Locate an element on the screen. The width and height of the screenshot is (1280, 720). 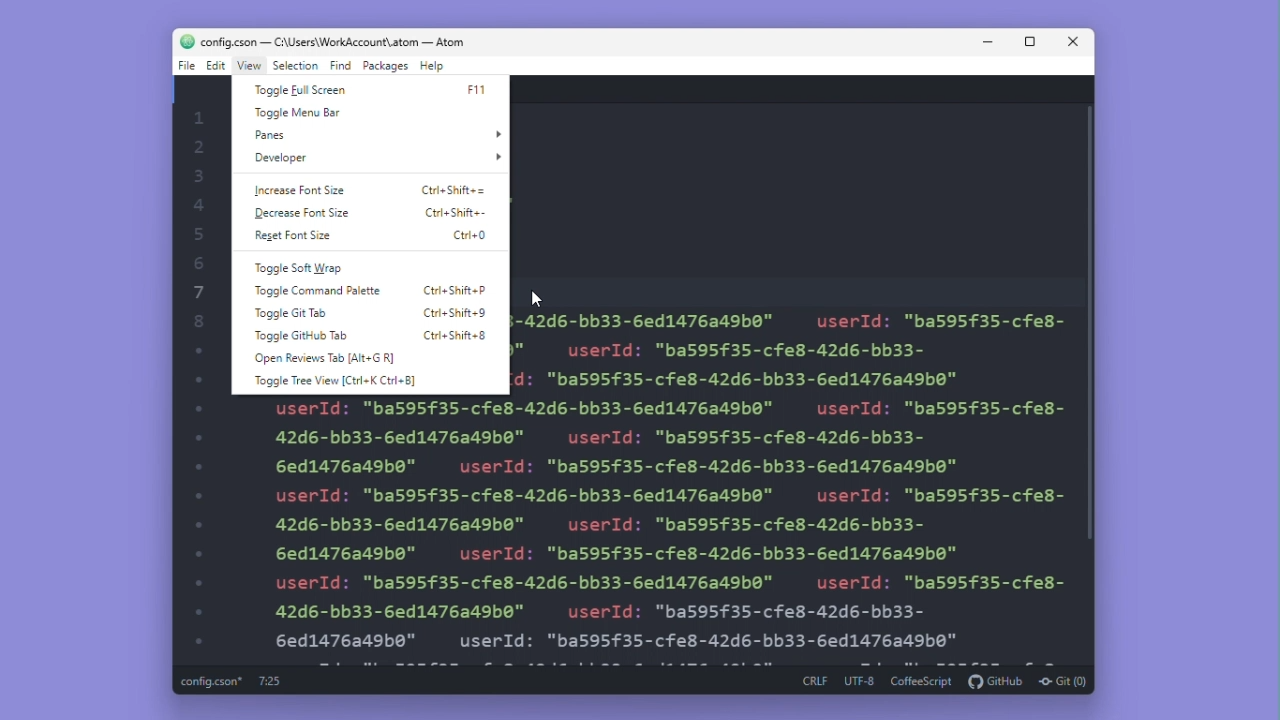
Find is located at coordinates (340, 66).